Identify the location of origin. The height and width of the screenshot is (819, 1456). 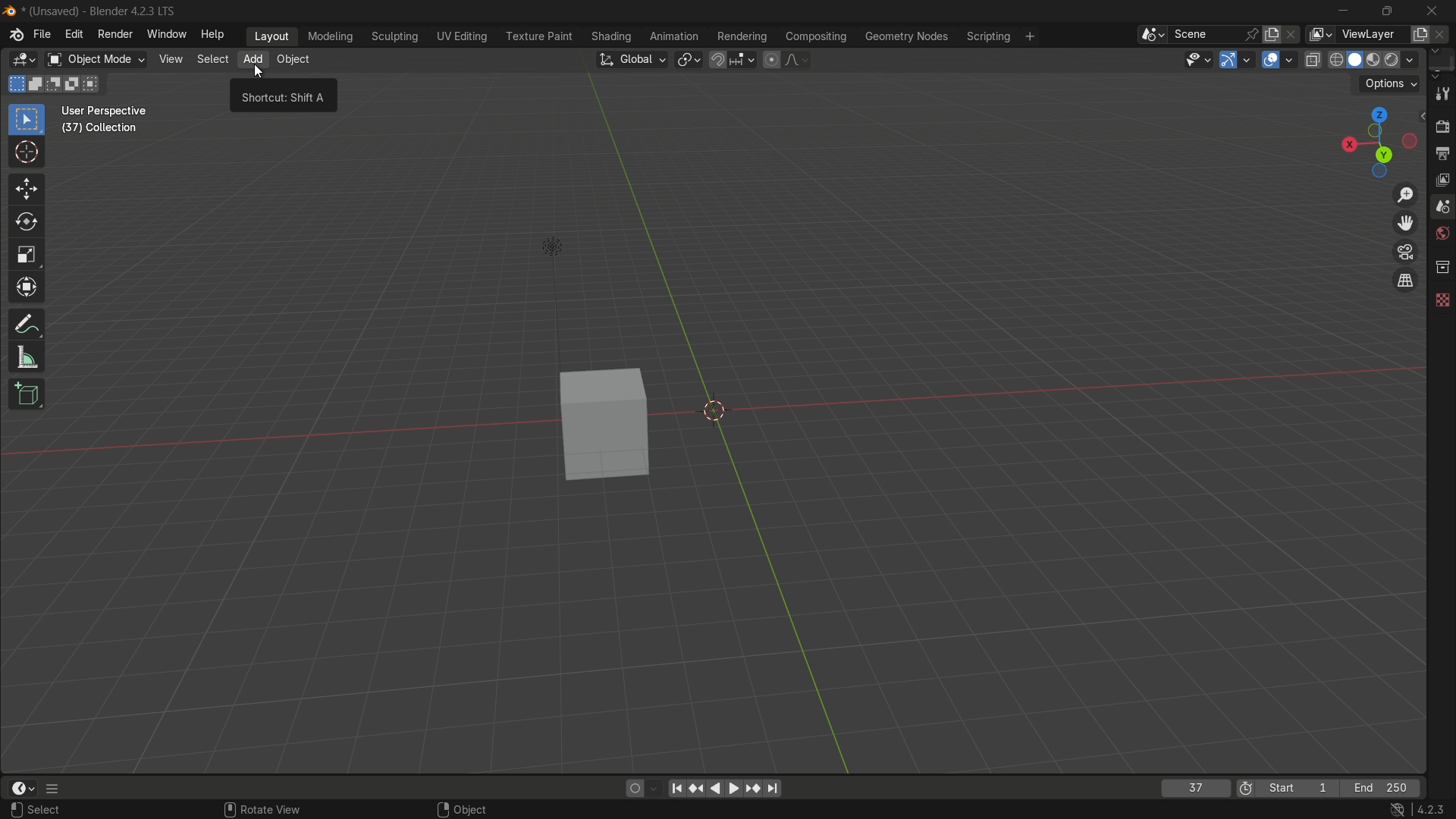
(718, 412).